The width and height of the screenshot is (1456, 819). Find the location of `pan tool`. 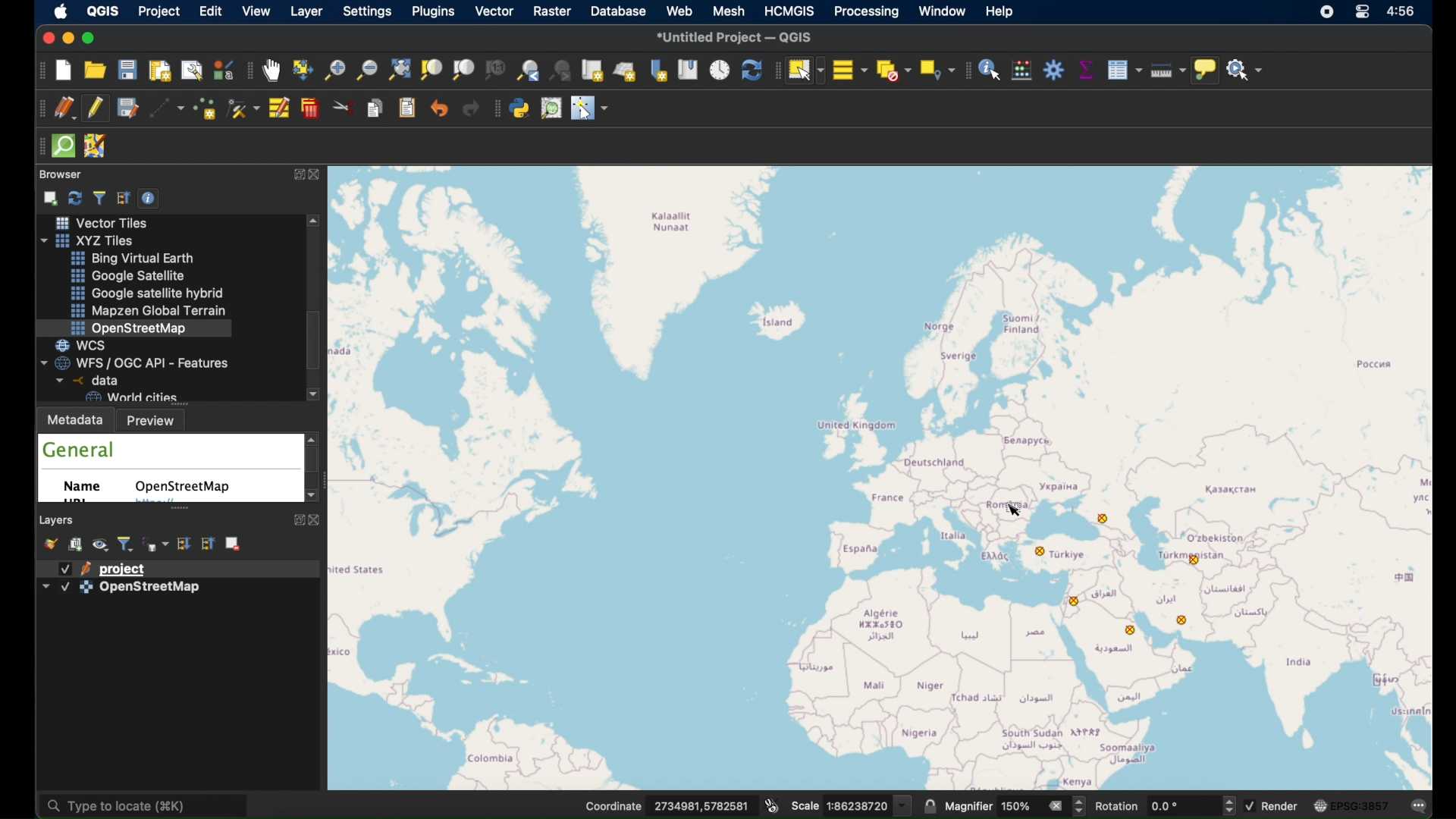

pan tool is located at coordinates (271, 71).